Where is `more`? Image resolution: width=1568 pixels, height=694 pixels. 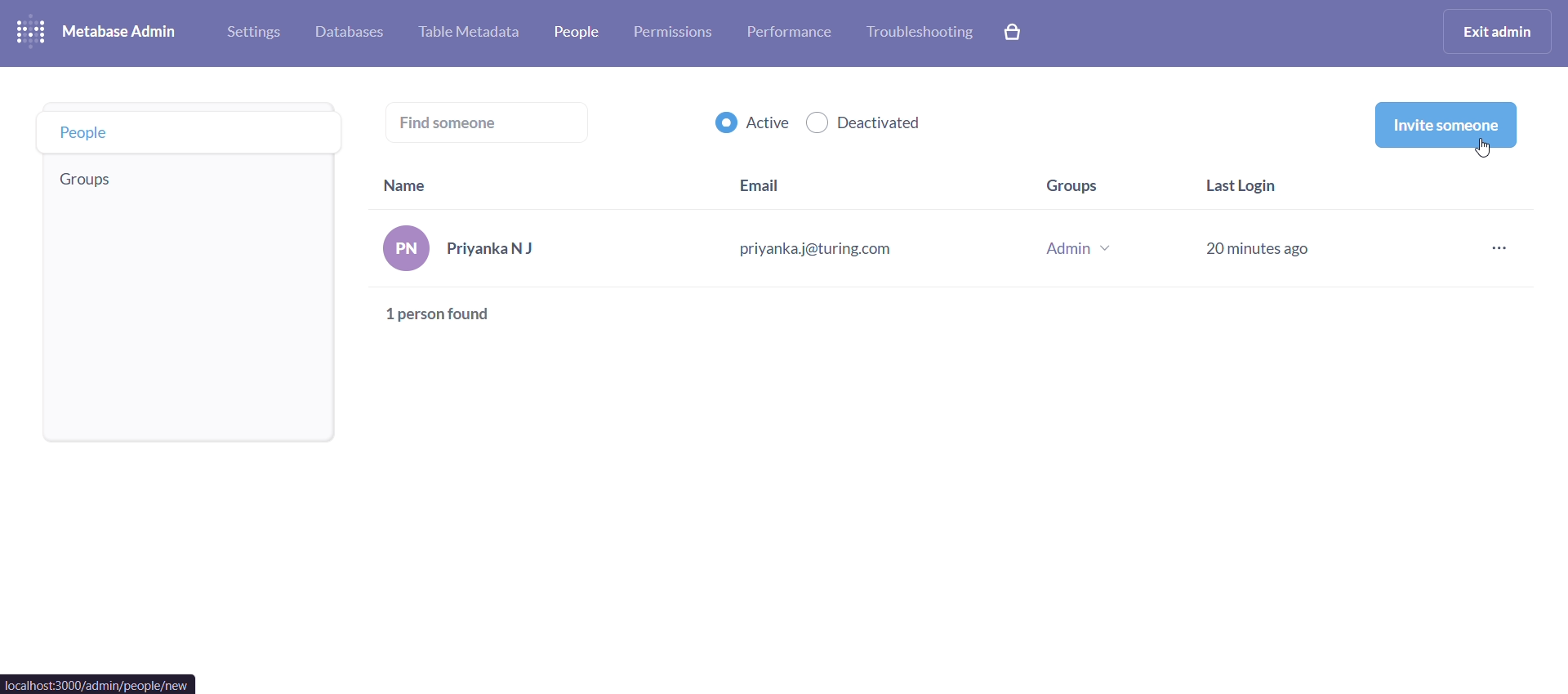 more is located at coordinates (1494, 248).